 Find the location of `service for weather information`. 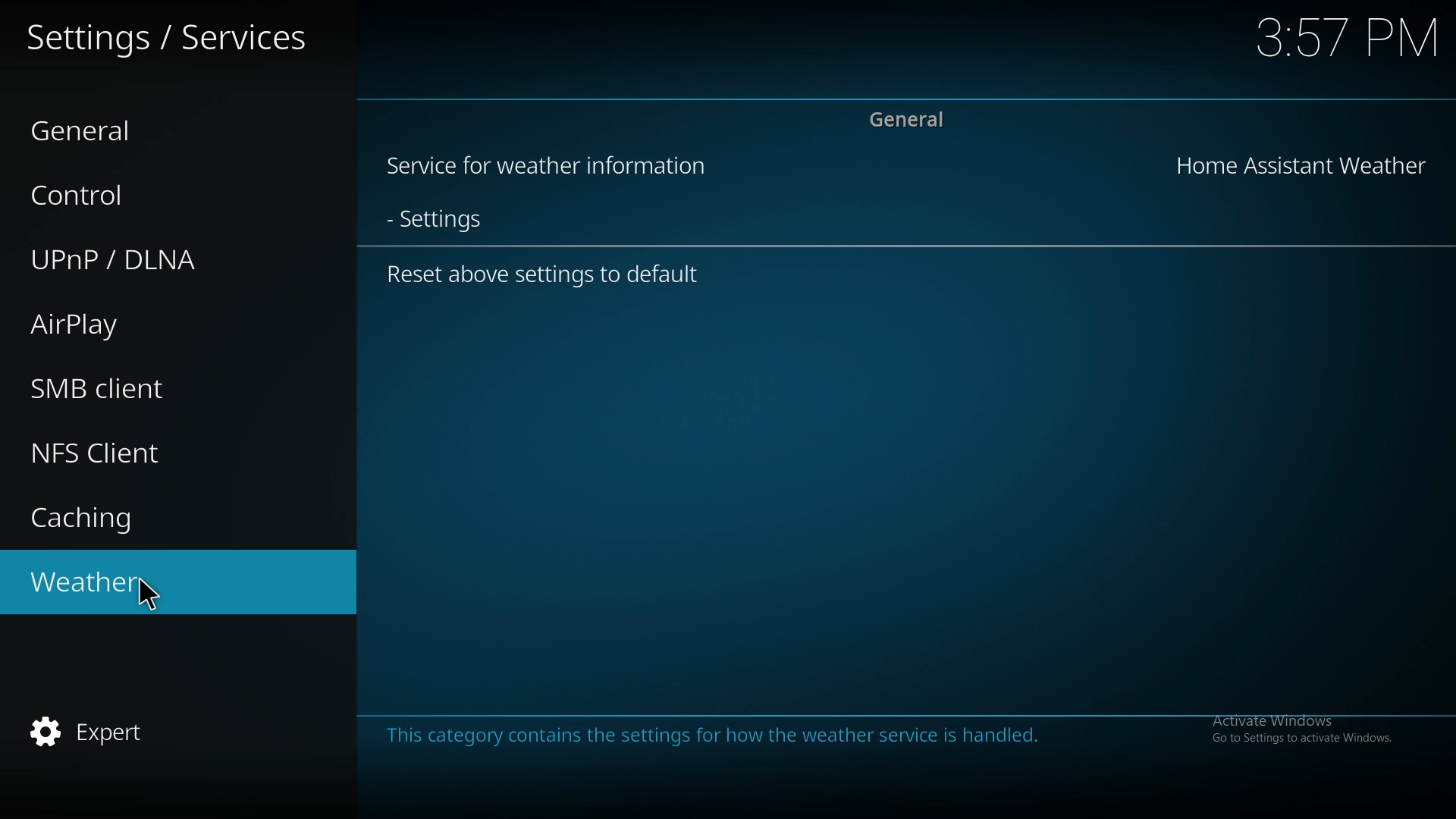

service for weather information is located at coordinates (556, 168).